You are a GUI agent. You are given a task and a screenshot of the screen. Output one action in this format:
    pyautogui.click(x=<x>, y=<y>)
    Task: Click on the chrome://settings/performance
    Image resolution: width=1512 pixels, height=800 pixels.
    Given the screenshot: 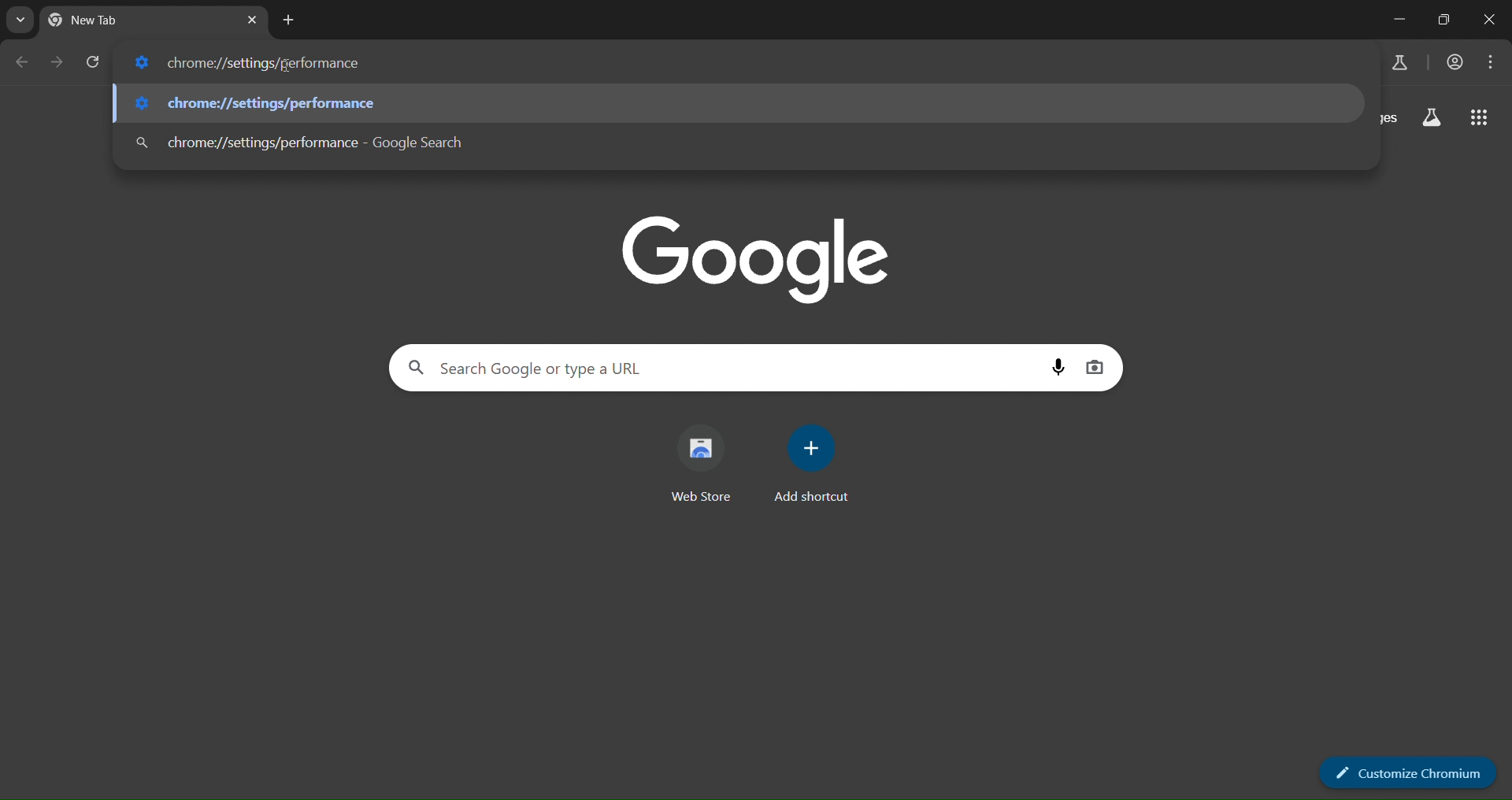 What is the action you would take?
    pyautogui.click(x=741, y=61)
    